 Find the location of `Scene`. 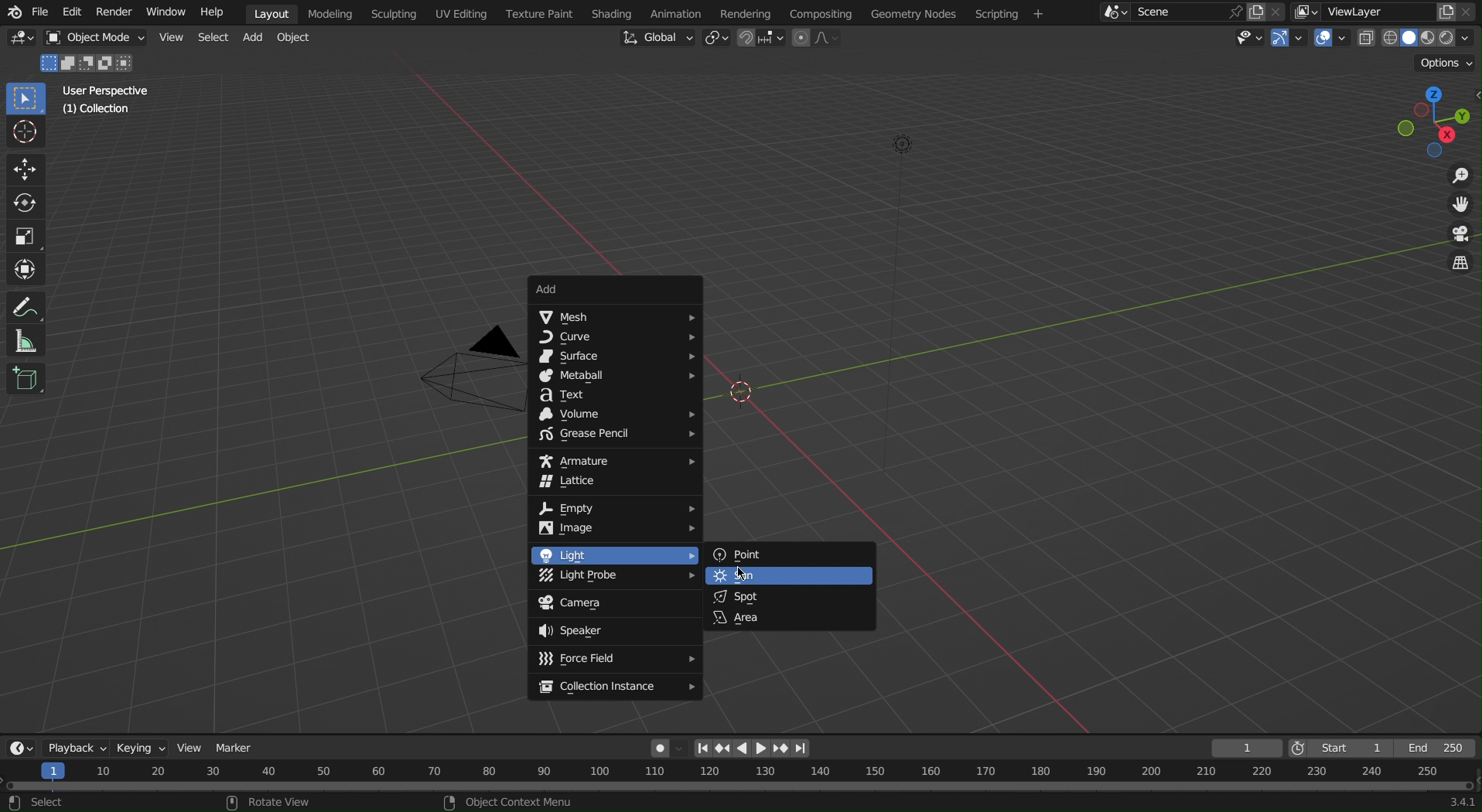

Scene is located at coordinates (1173, 12).